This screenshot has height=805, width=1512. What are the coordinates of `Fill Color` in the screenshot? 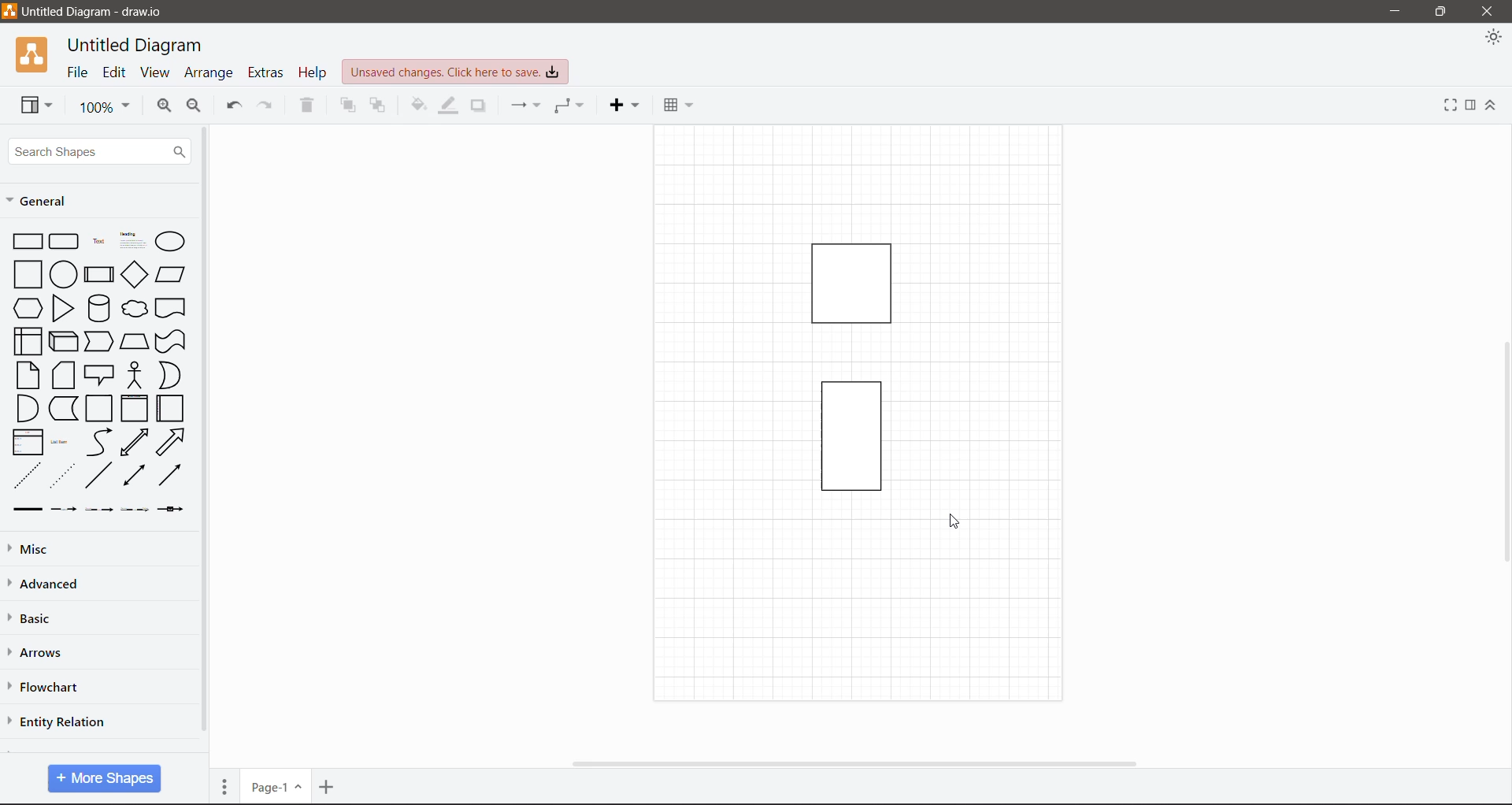 It's located at (418, 108).